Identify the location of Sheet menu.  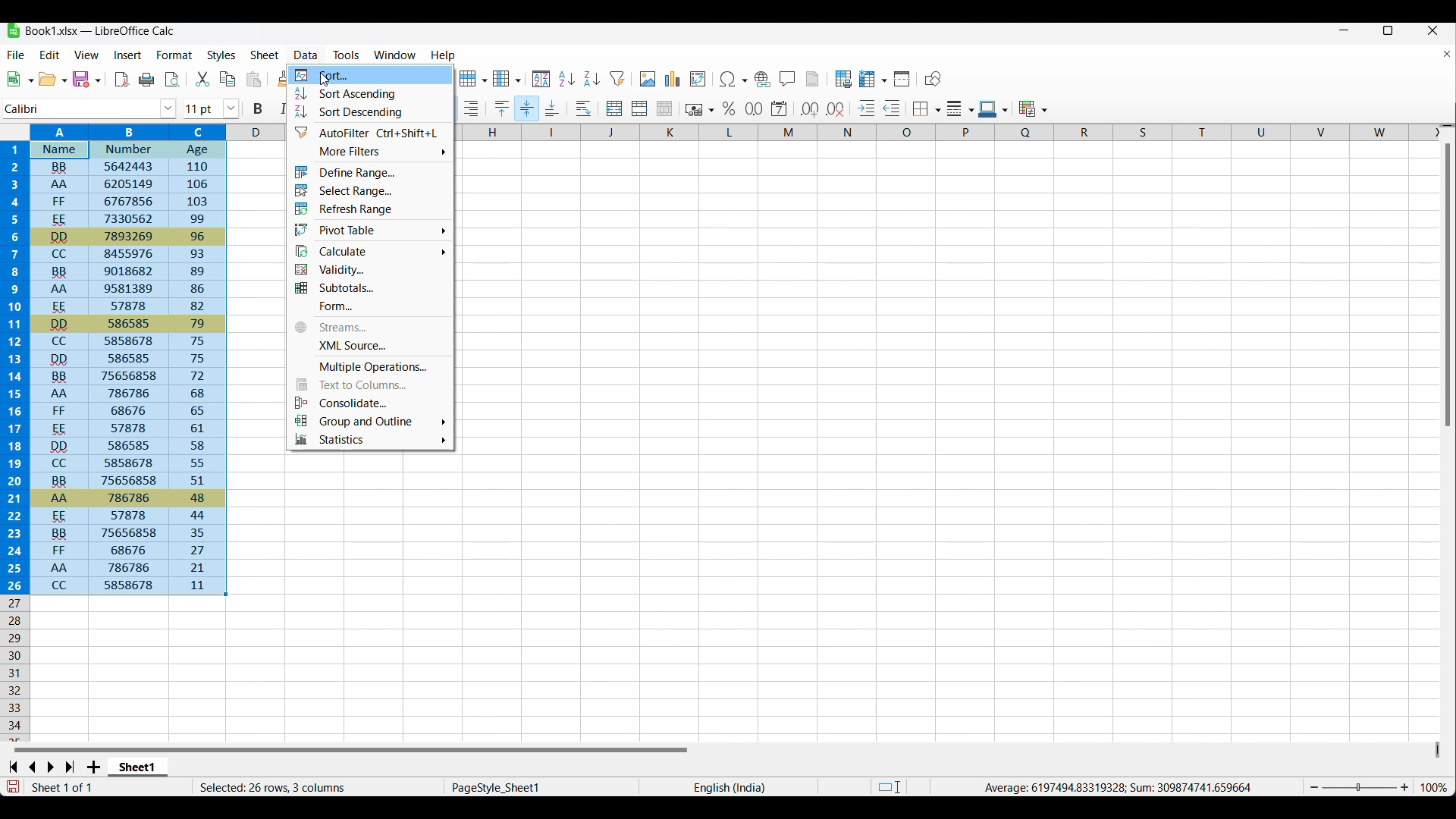
(265, 55).